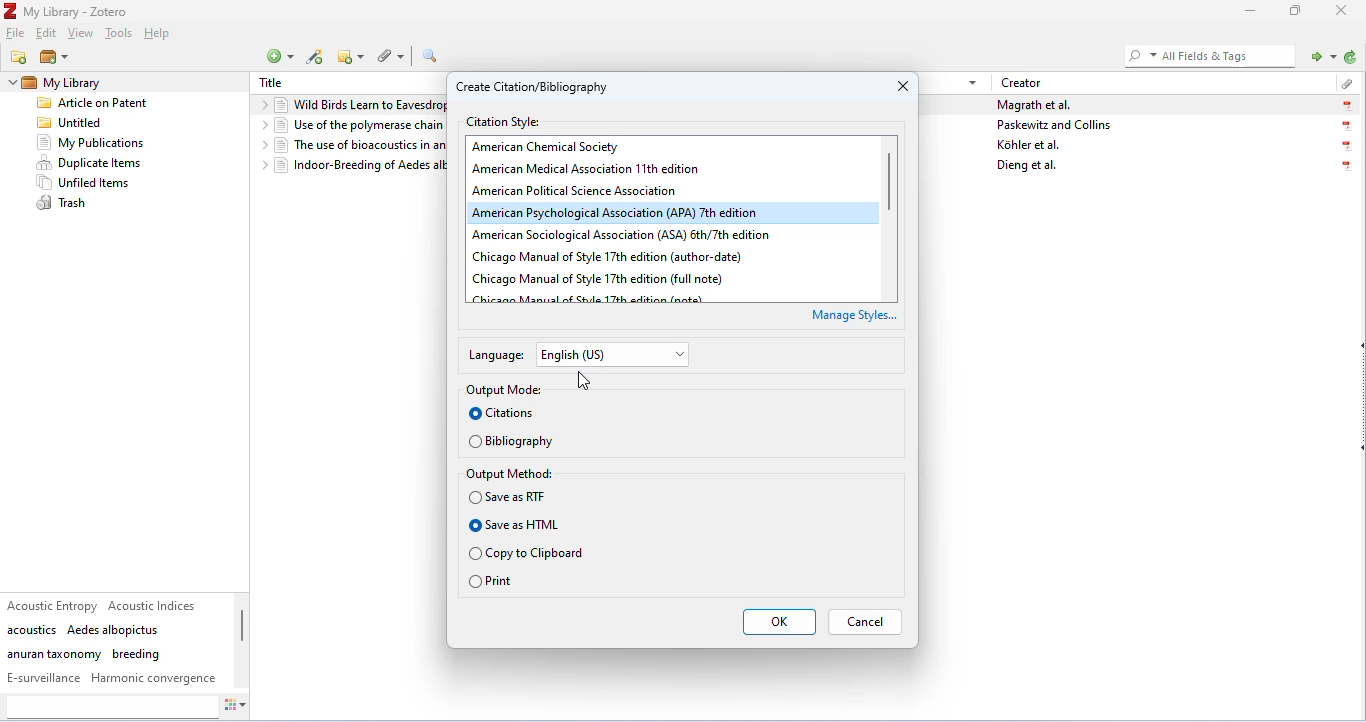 The width and height of the screenshot is (1366, 722). What do you see at coordinates (282, 56) in the screenshot?
I see `new item` at bounding box center [282, 56].